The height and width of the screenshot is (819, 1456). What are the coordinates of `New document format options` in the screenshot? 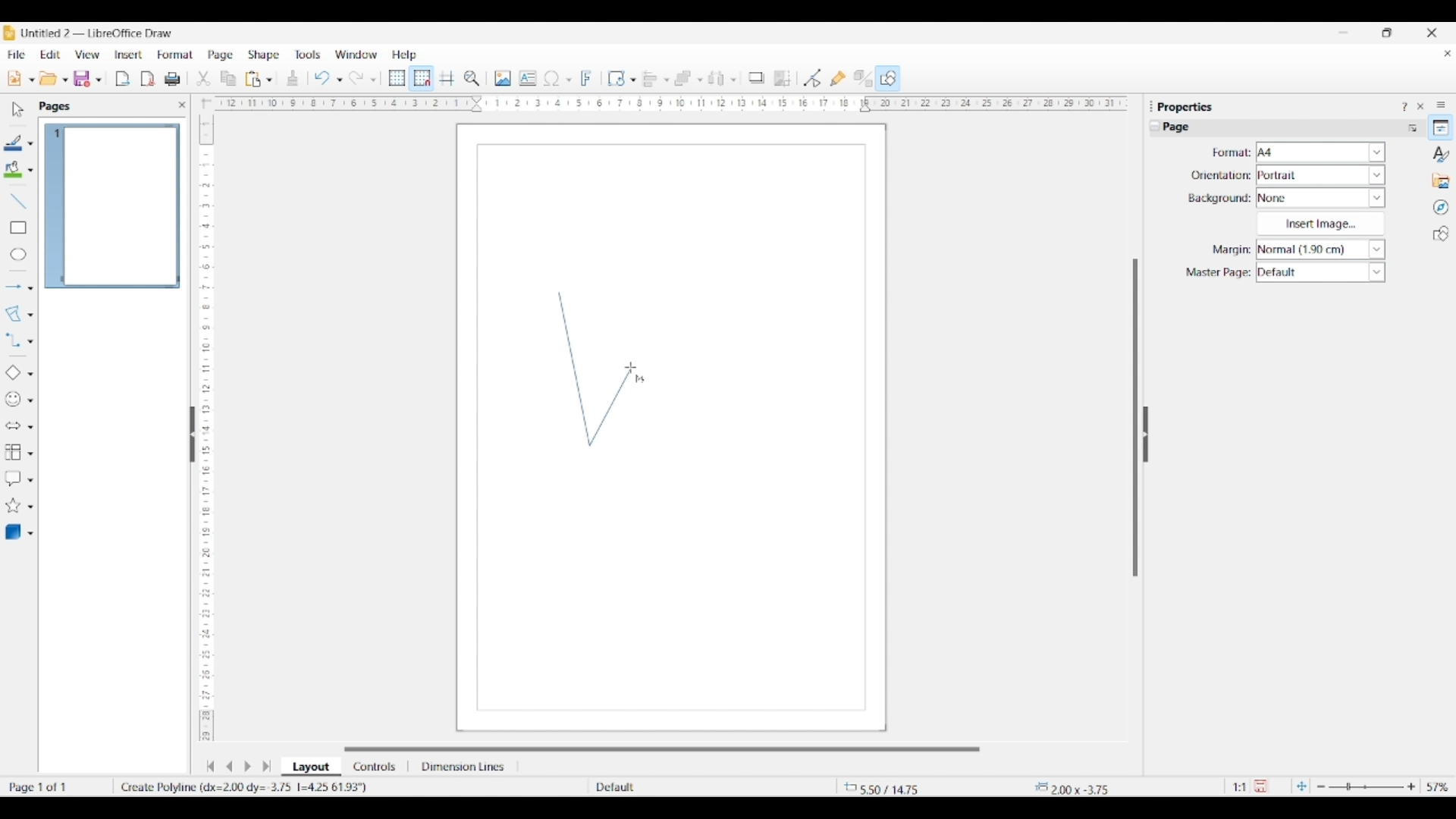 It's located at (32, 80).